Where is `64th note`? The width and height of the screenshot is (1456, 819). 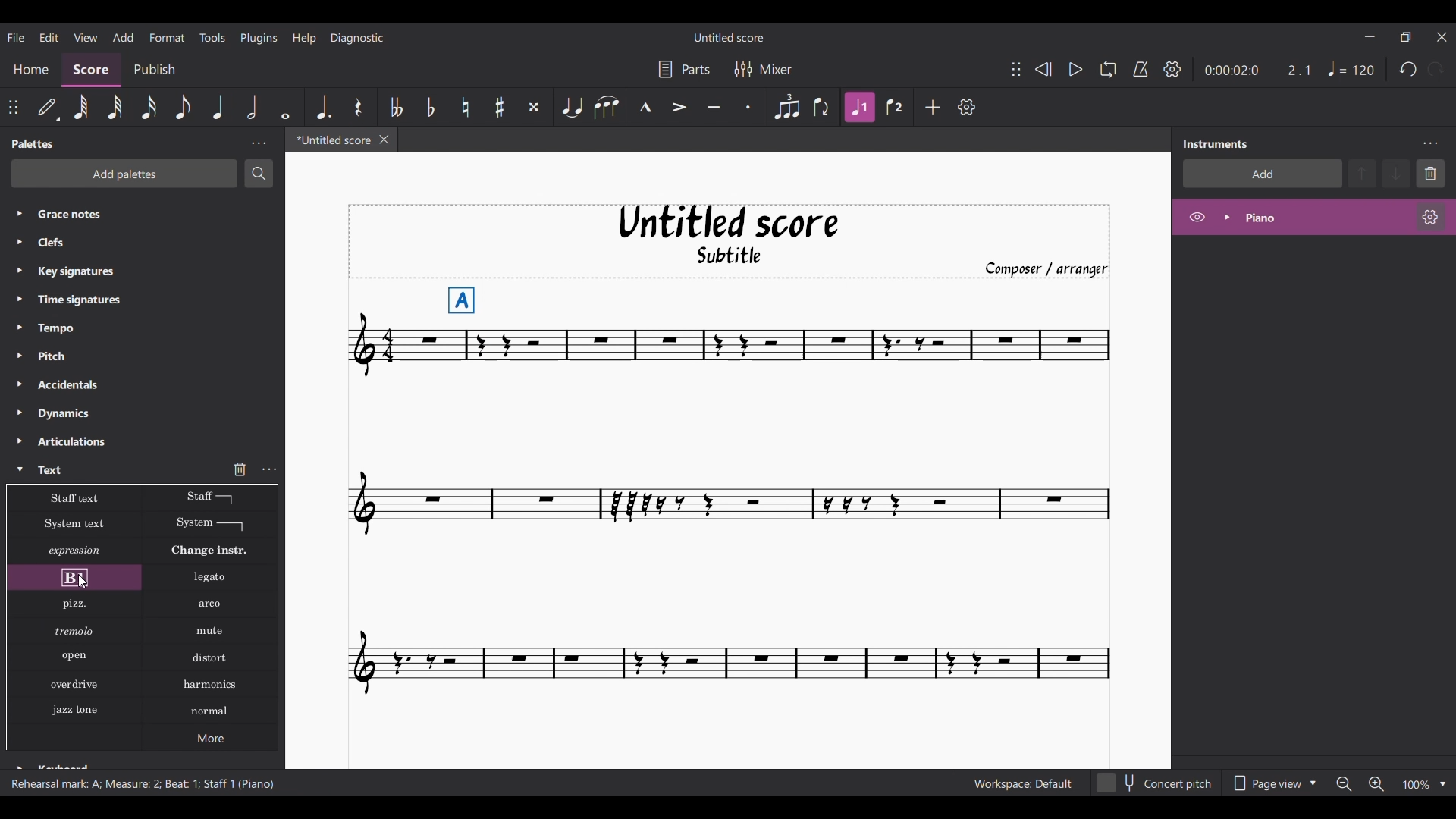 64th note is located at coordinates (82, 107).